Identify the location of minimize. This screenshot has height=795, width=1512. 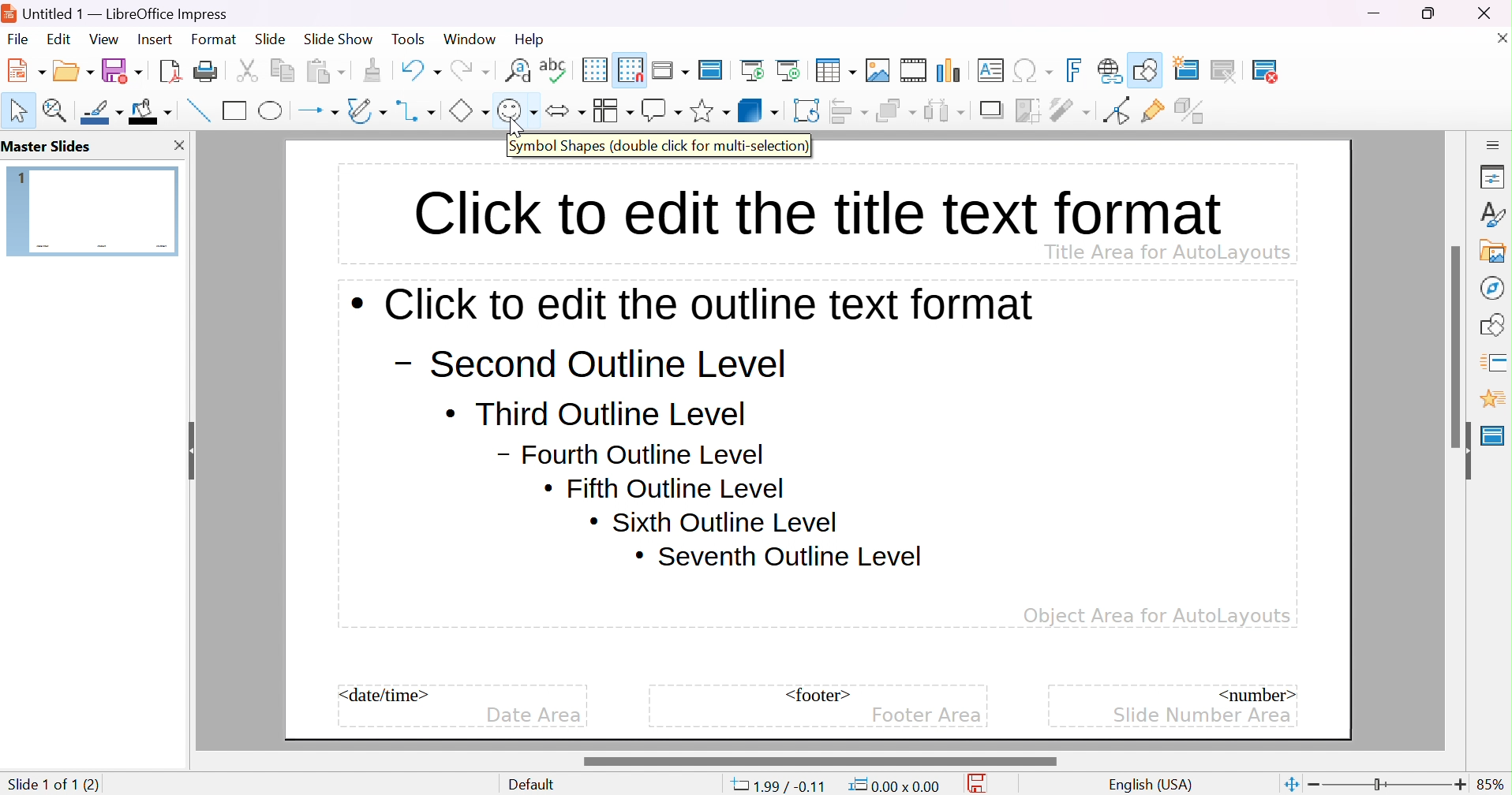
(1376, 13).